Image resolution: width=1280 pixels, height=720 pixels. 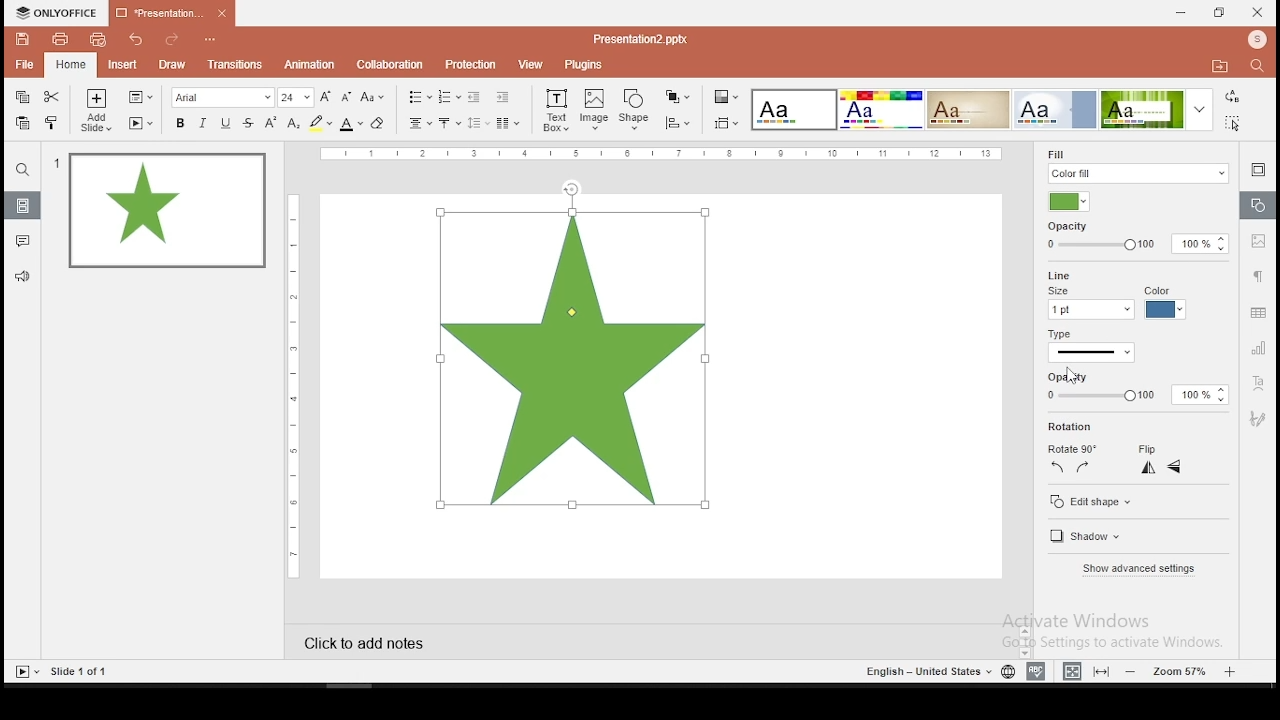 What do you see at coordinates (1258, 312) in the screenshot?
I see `table settings` at bounding box center [1258, 312].